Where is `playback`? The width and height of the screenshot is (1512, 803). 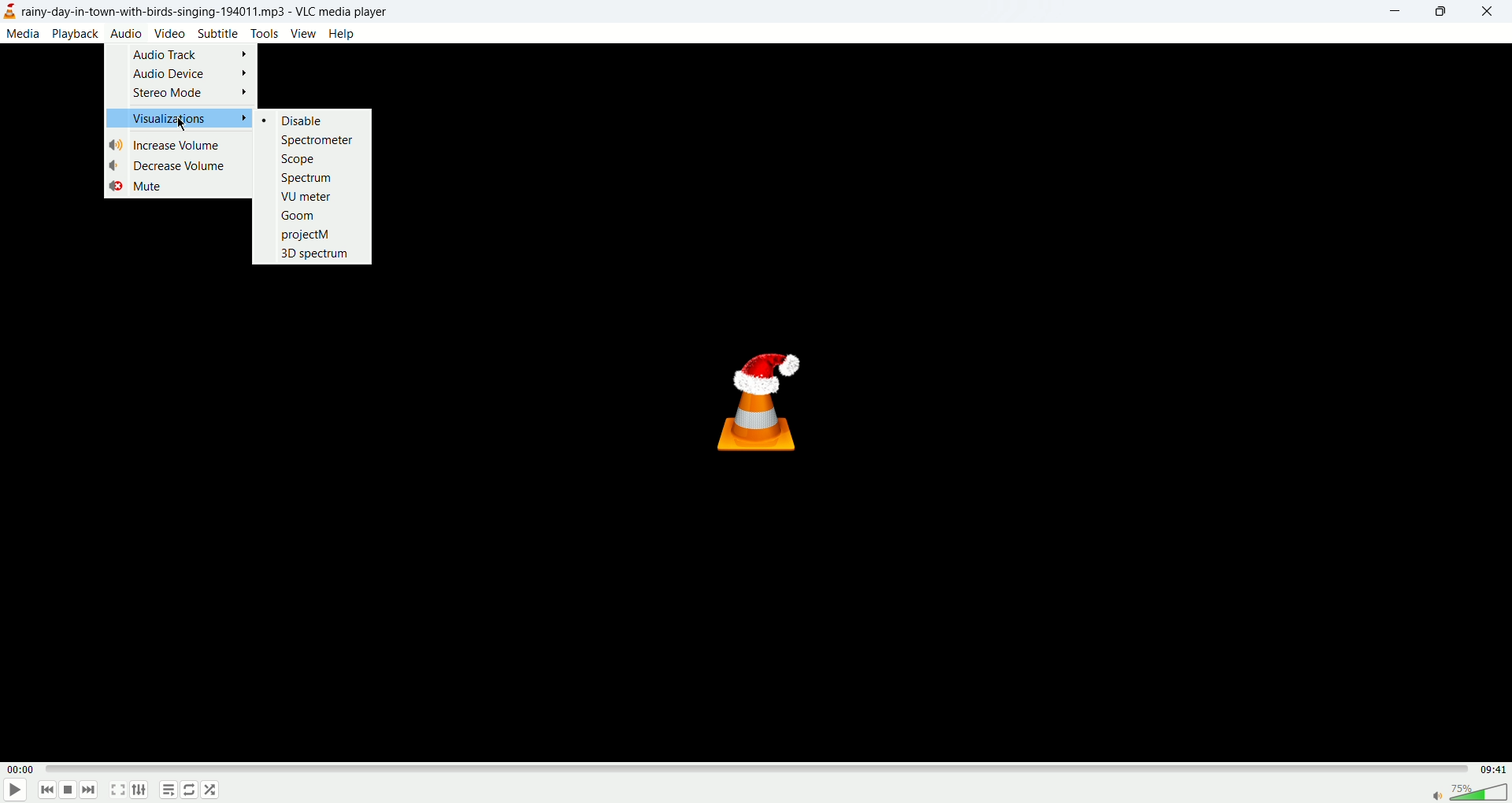 playback is located at coordinates (76, 34).